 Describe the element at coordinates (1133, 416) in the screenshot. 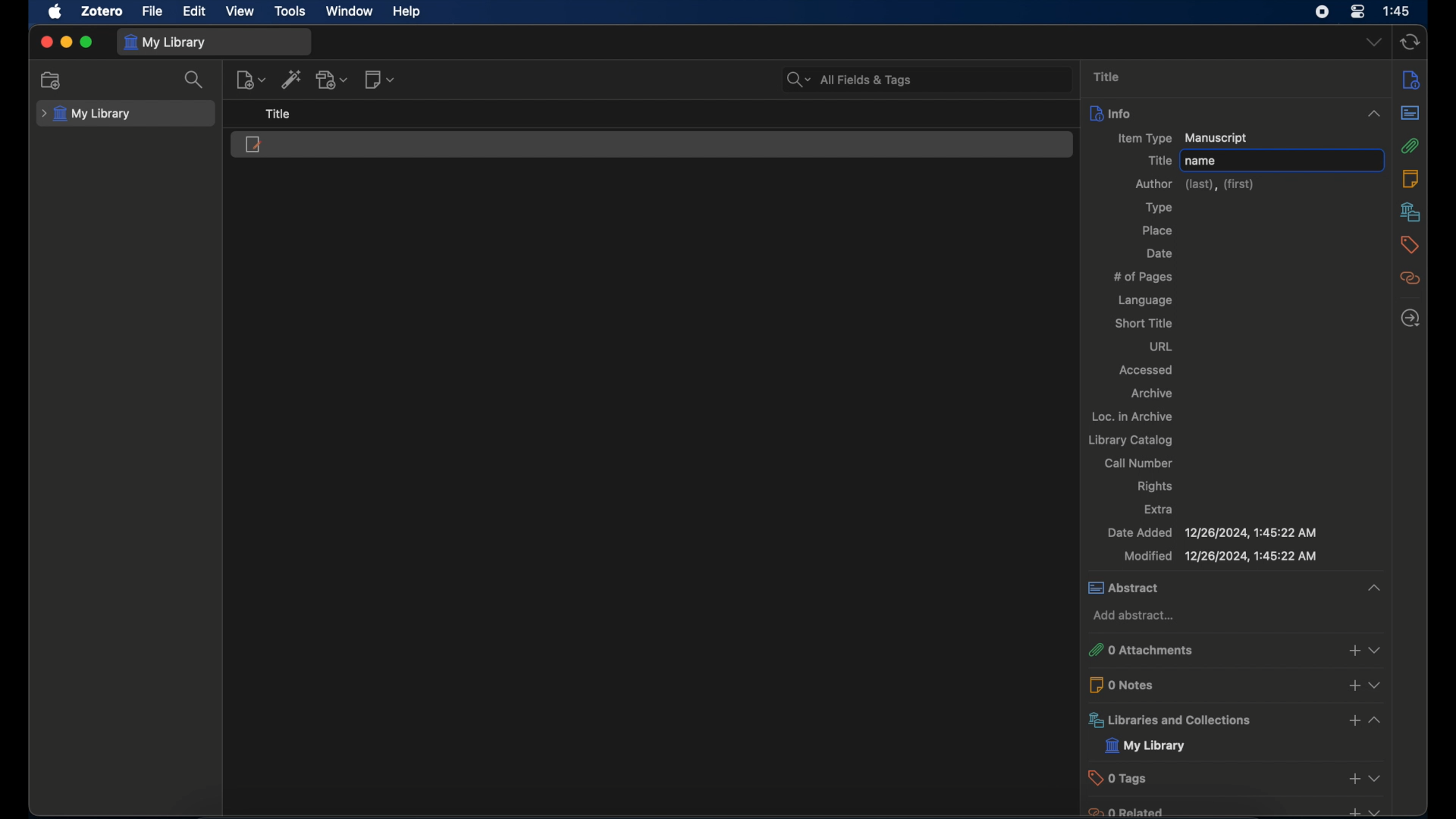

I see `loc. in archive` at that location.